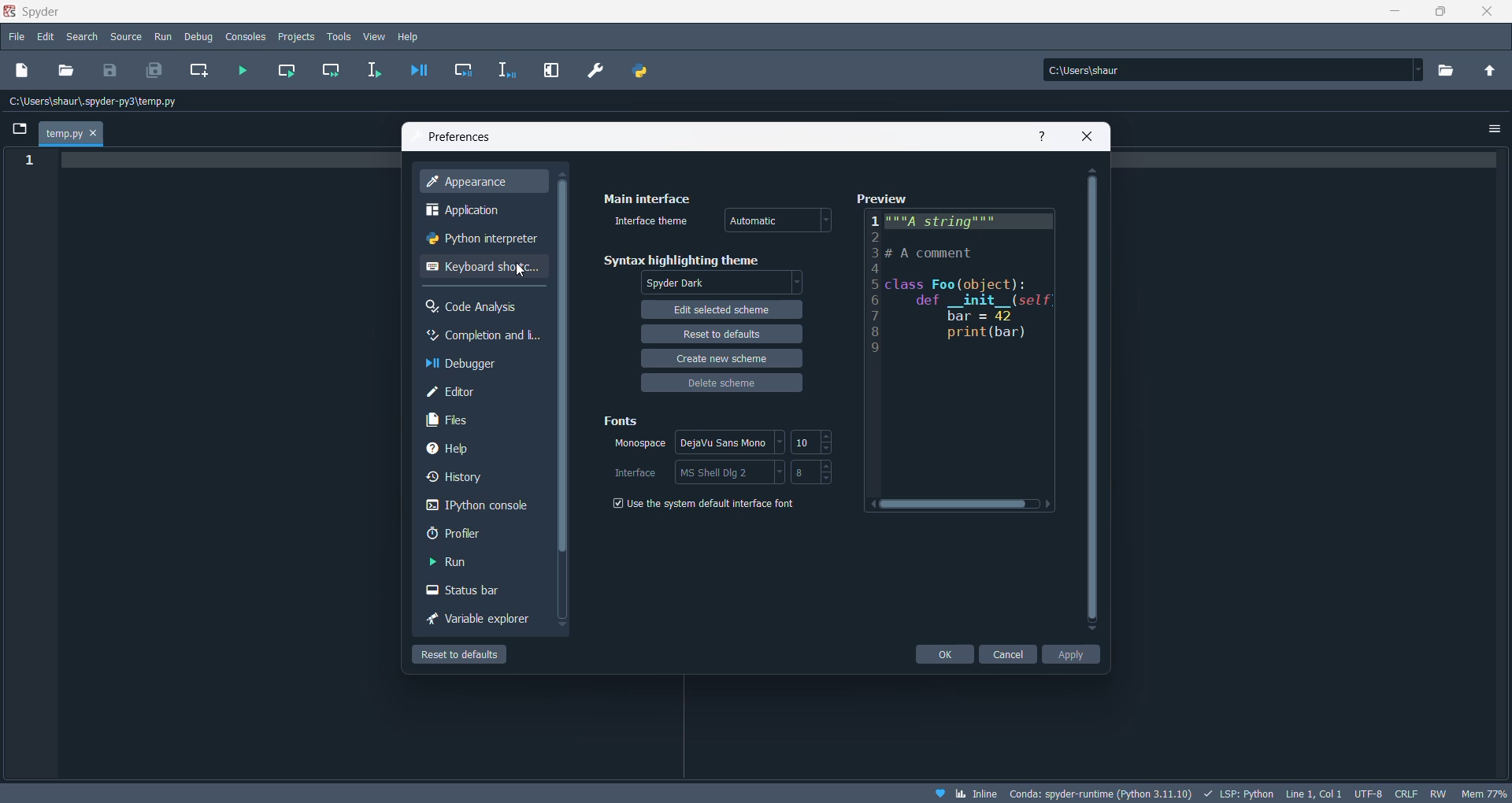 The width and height of the screenshot is (1512, 803). What do you see at coordinates (480, 212) in the screenshot?
I see `application` at bounding box center [480, 212].